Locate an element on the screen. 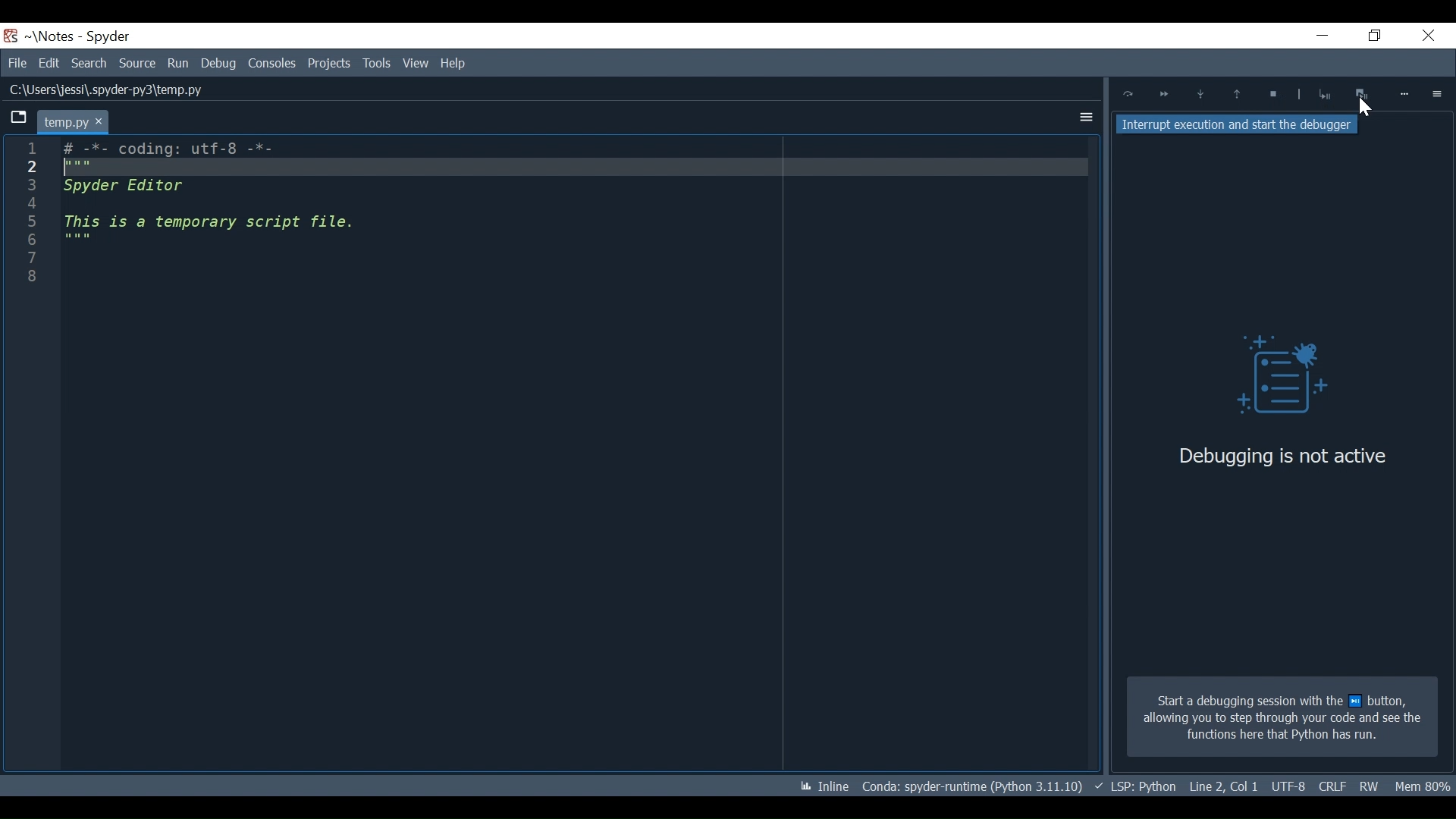  Spyder  is located at coordinates (109, 37).